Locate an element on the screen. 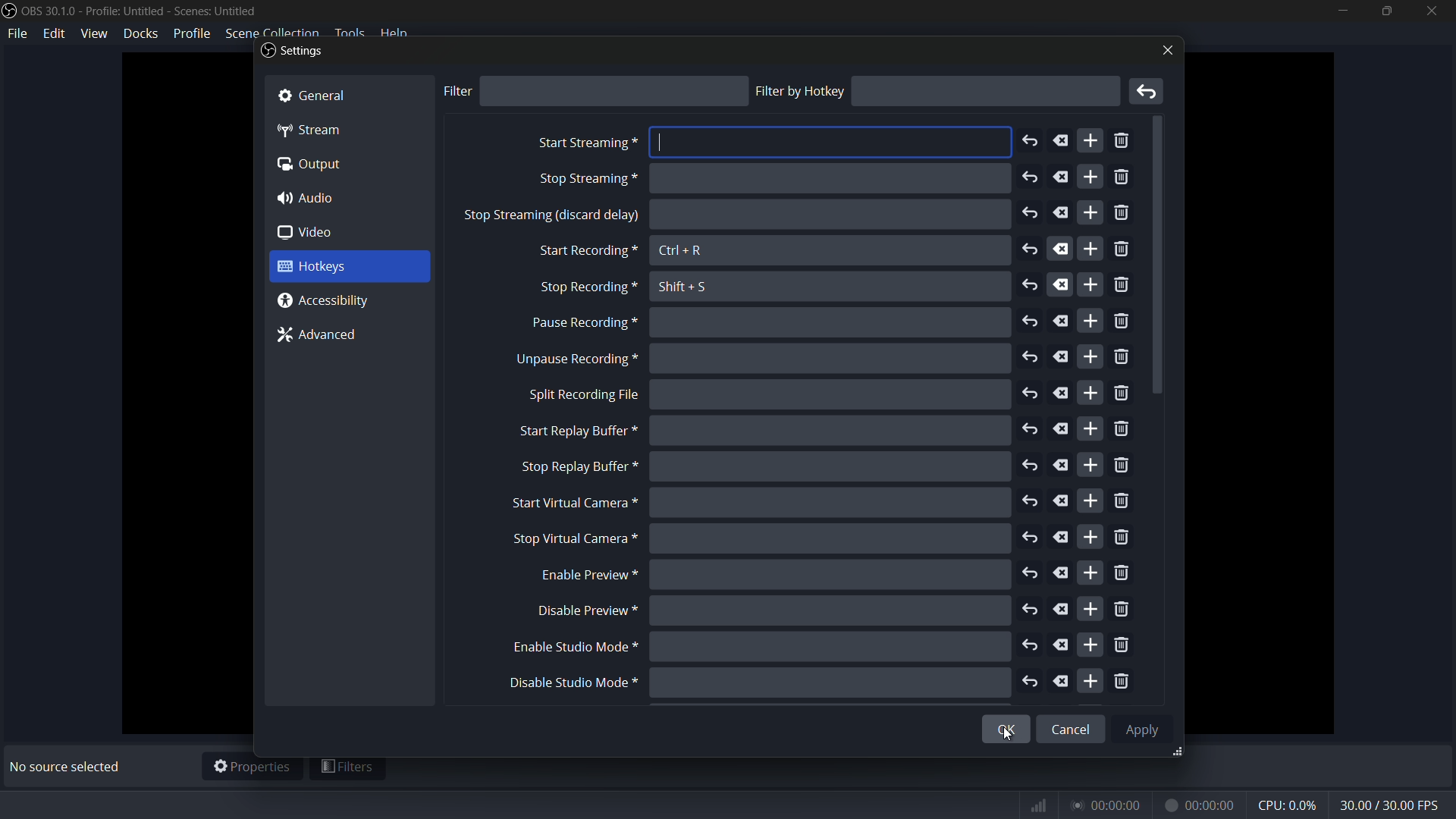 Image resolution: width=1456 pixels, height=819 pixels. profile menu is located at coordinates (191, 33).